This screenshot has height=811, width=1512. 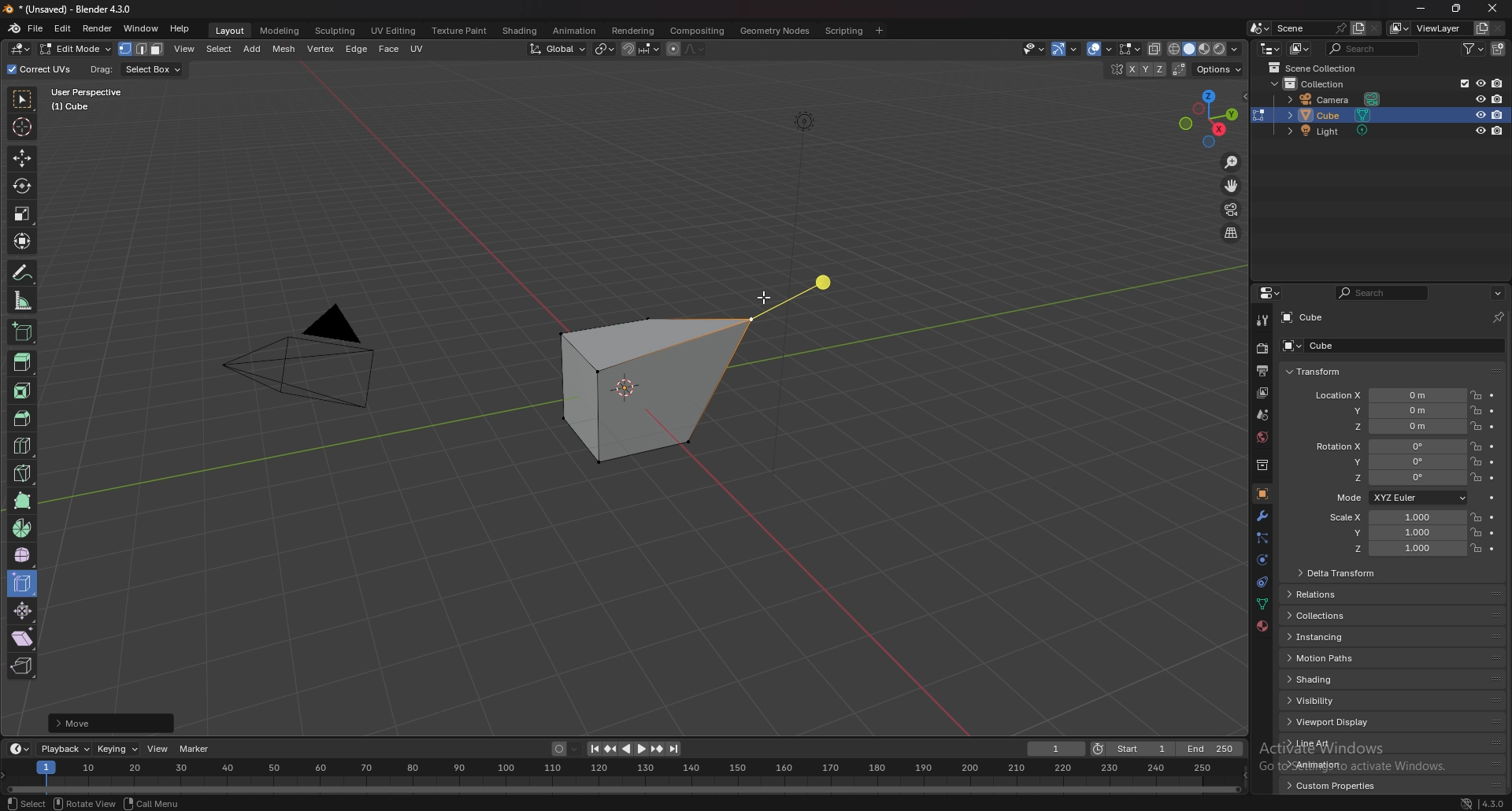 I want to click on blender, so click(x=13, y=28).